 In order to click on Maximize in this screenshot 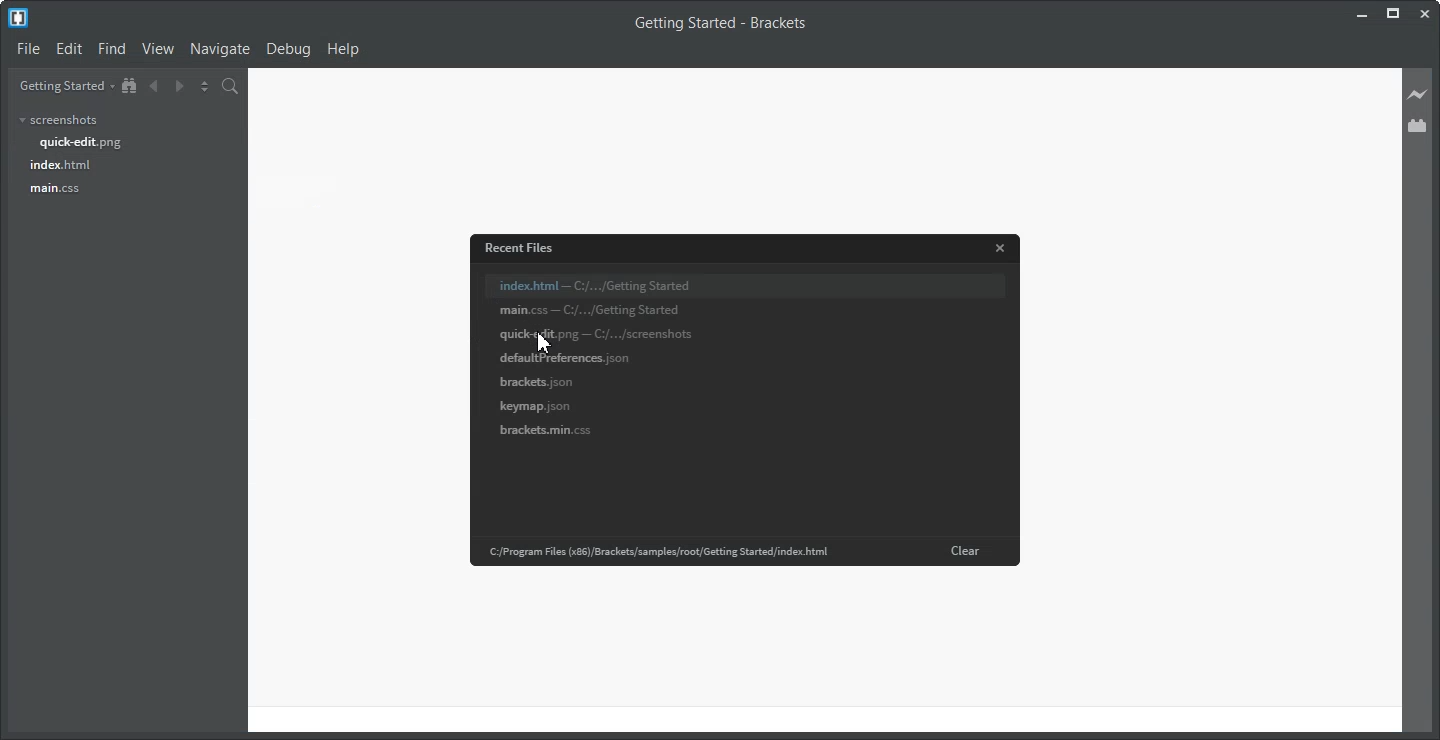, I will do `click(1394, 15)`.